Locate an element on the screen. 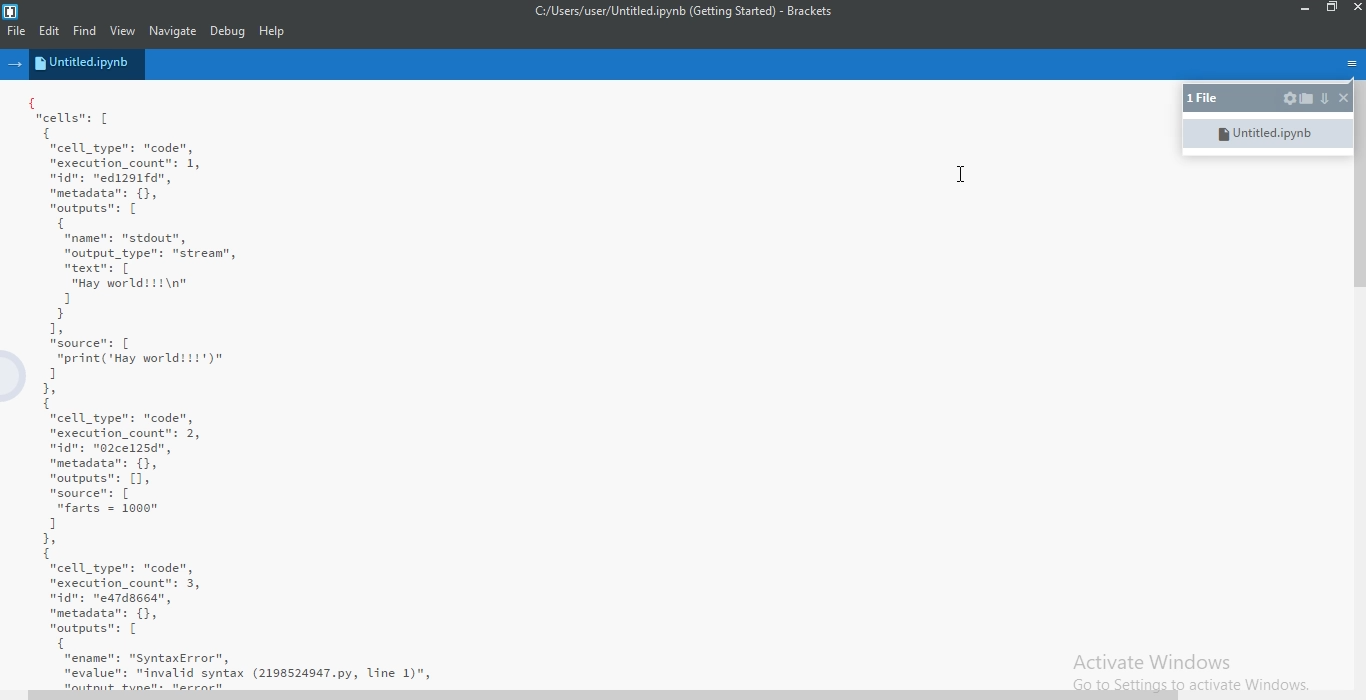  Navigate is located at coordinates (172, 32).